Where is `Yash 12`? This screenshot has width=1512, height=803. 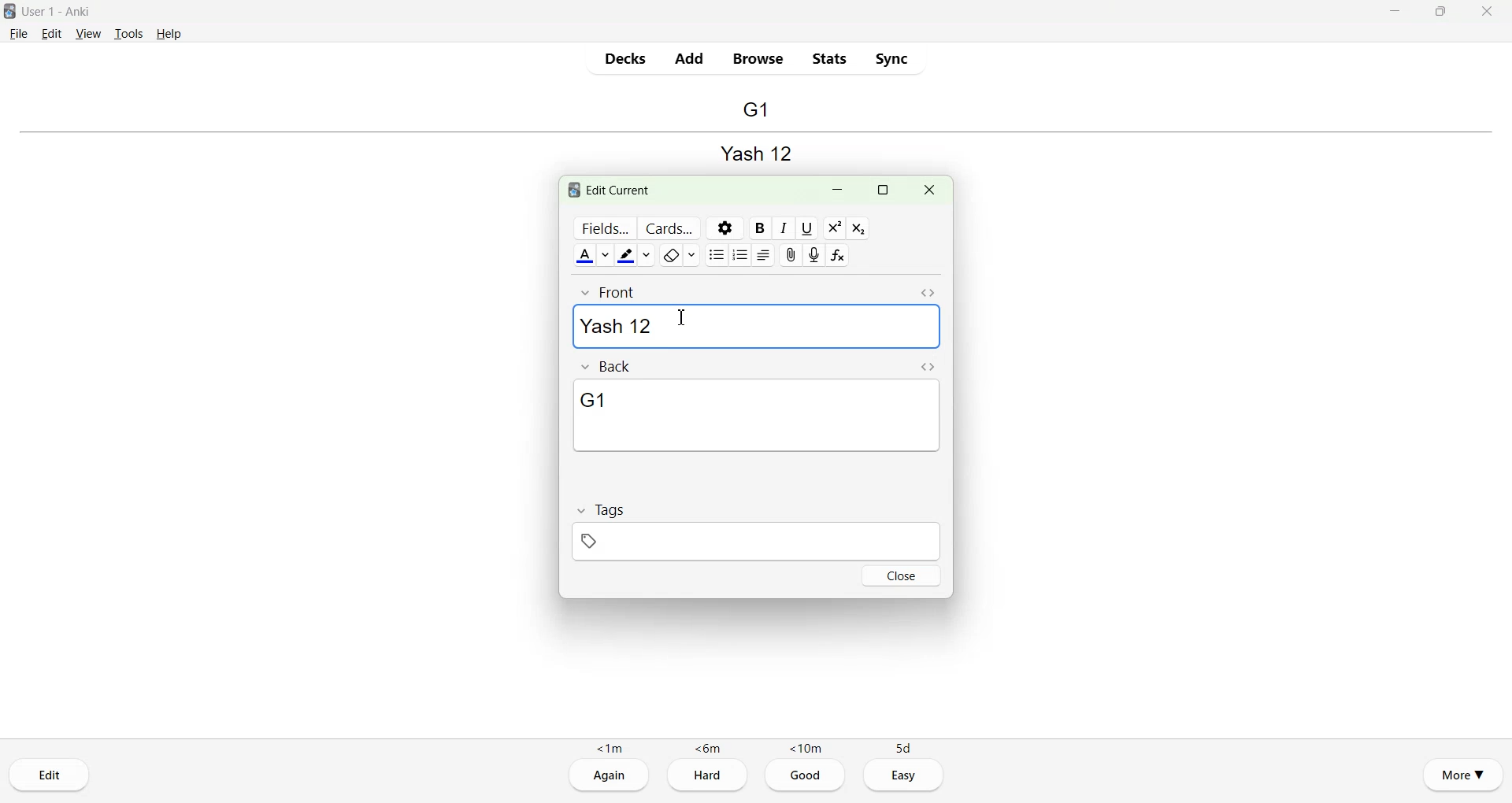
Yash 12 is located at coordinates (755, 327).